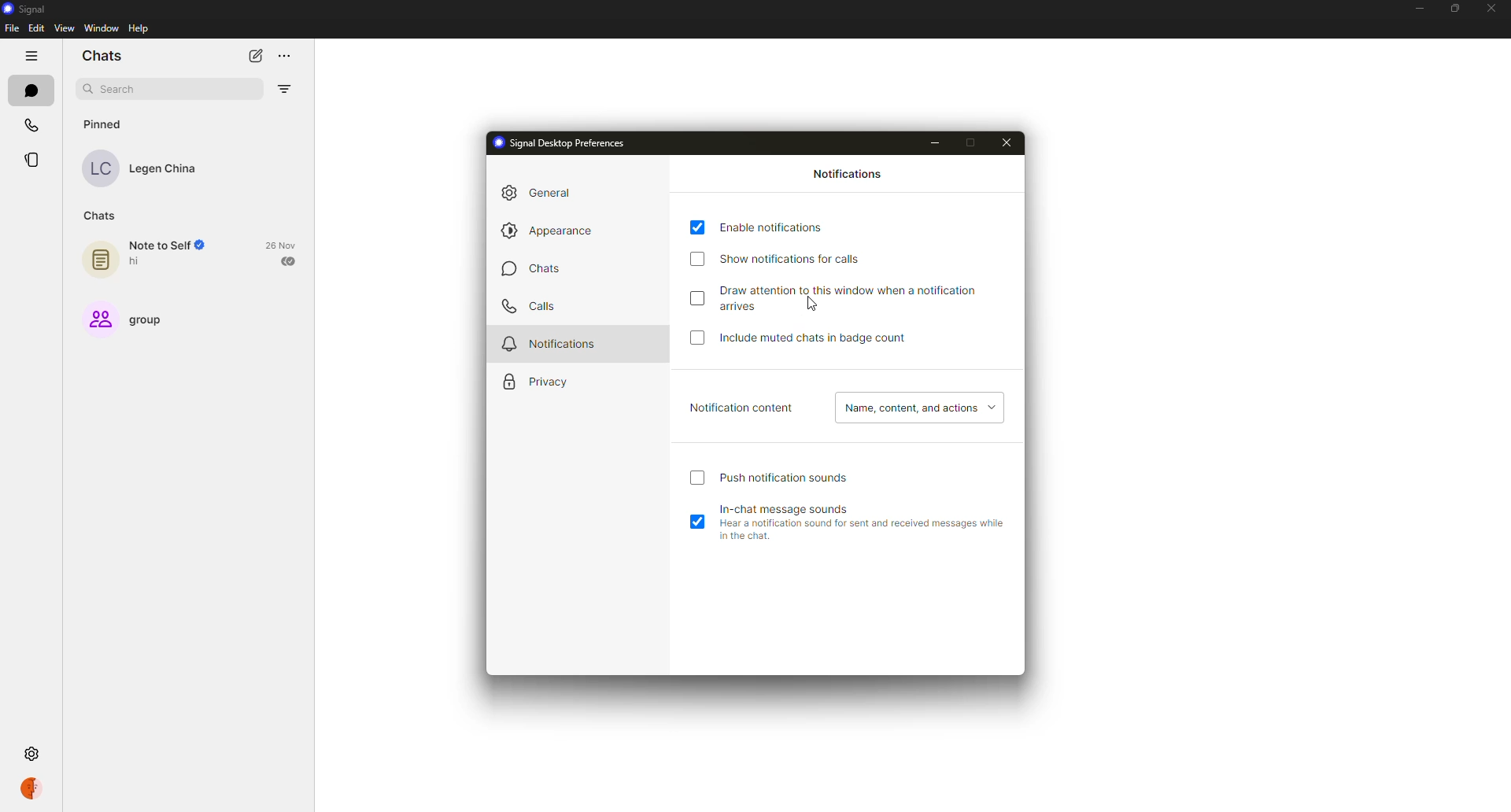  Describe the element at coordinates (549, 232) in the screenshot. I see `appearance` at that location.